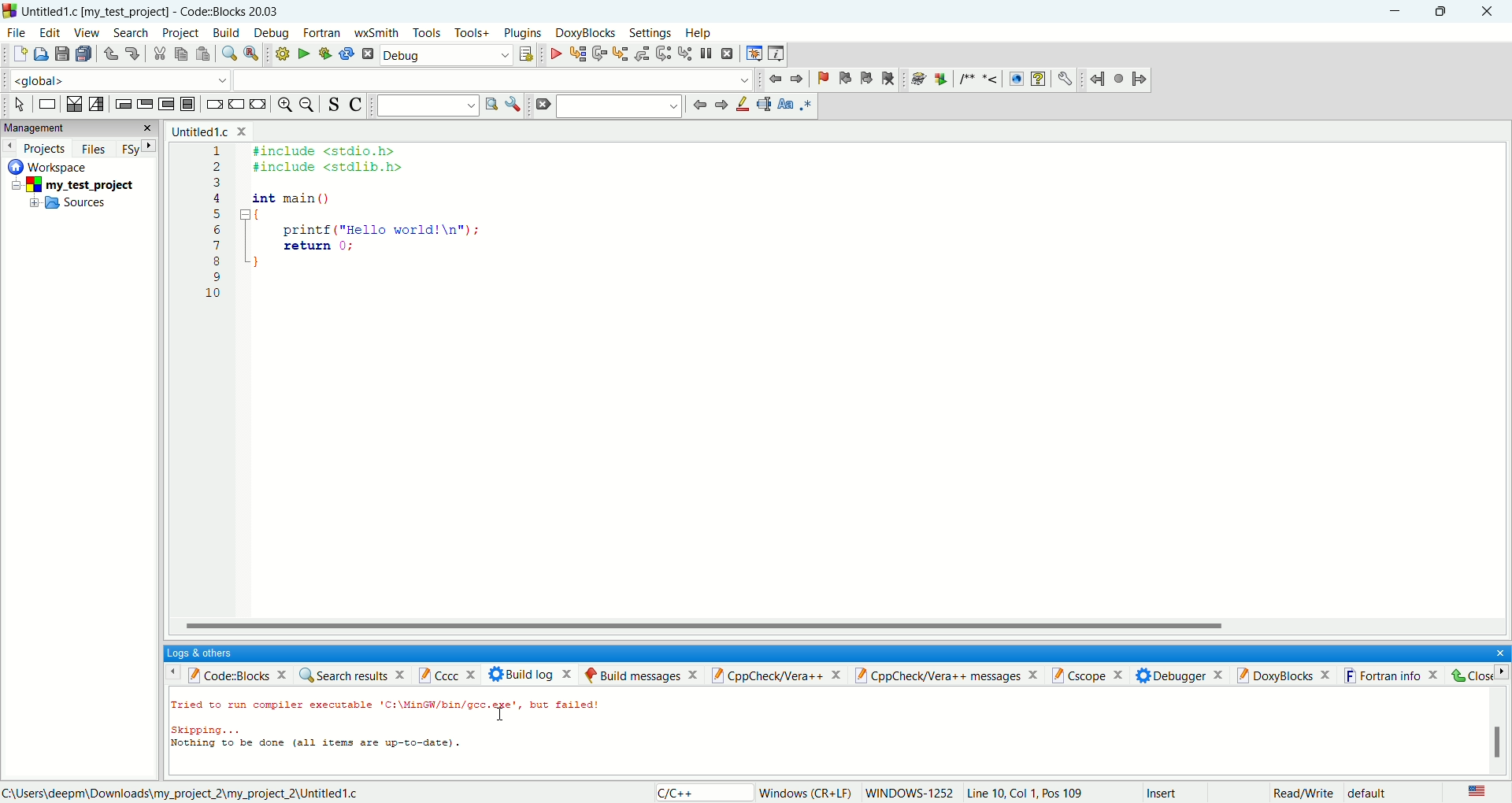 This screenshot has width=1512, height=803. Describe the element at coordinates (156, 54) in the screenshot. I see `cut` at that location.